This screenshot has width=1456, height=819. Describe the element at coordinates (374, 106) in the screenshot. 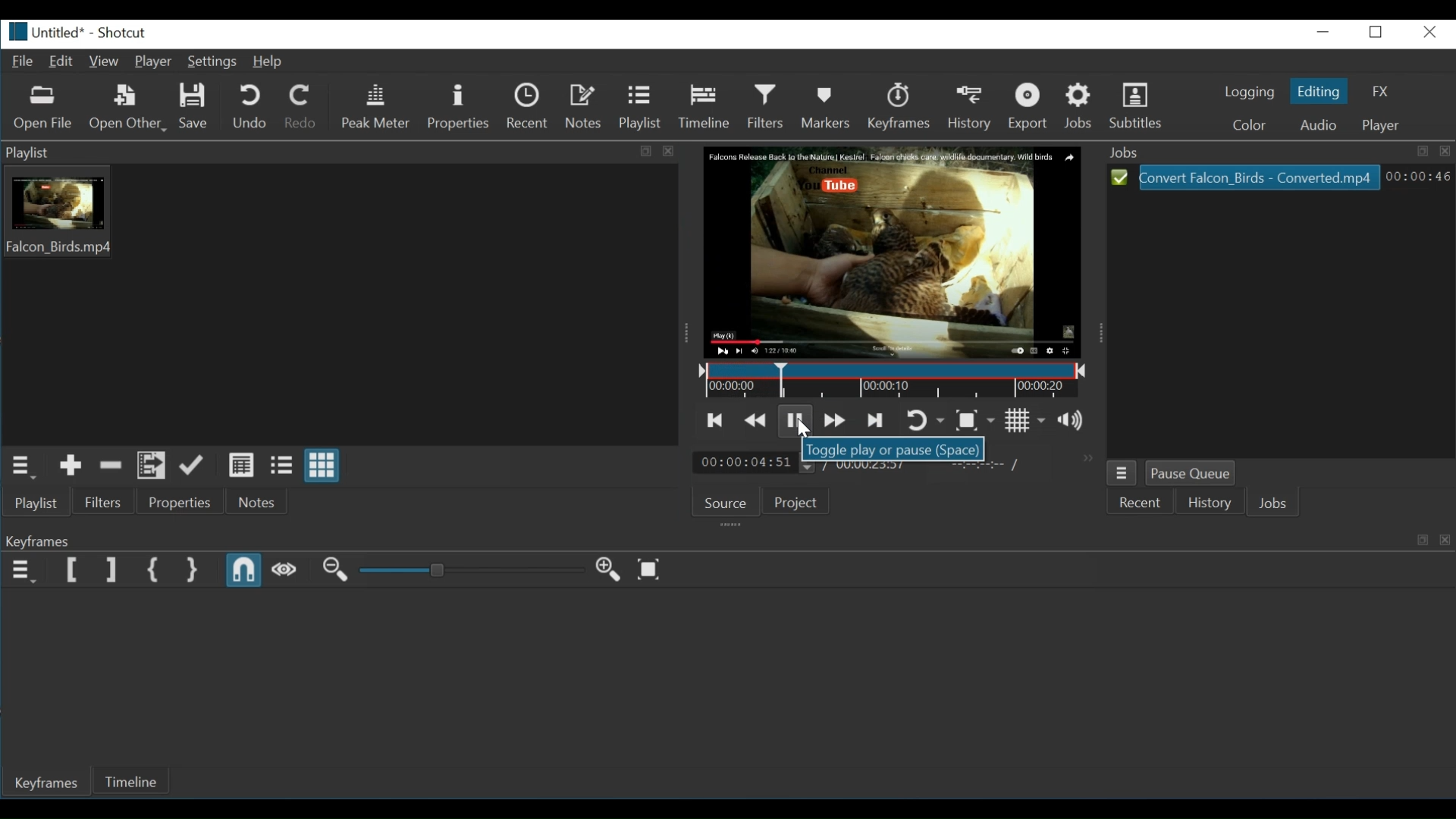

I see `Peak meter` at that location.